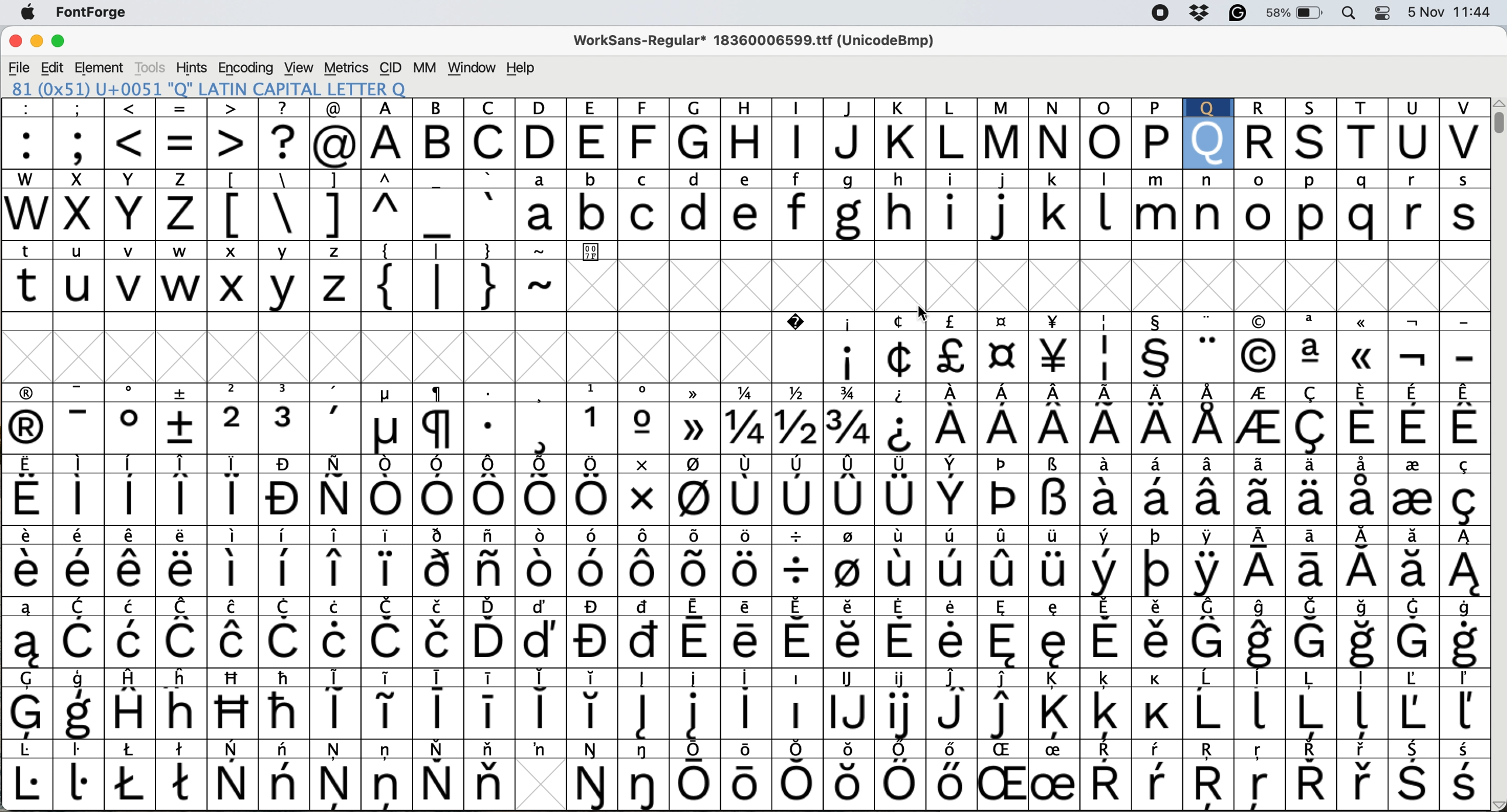 The image size is (1507, 812). Describe the element at coordinates (1165, 13) in the screenshot. I see `screen recorder` at that location.